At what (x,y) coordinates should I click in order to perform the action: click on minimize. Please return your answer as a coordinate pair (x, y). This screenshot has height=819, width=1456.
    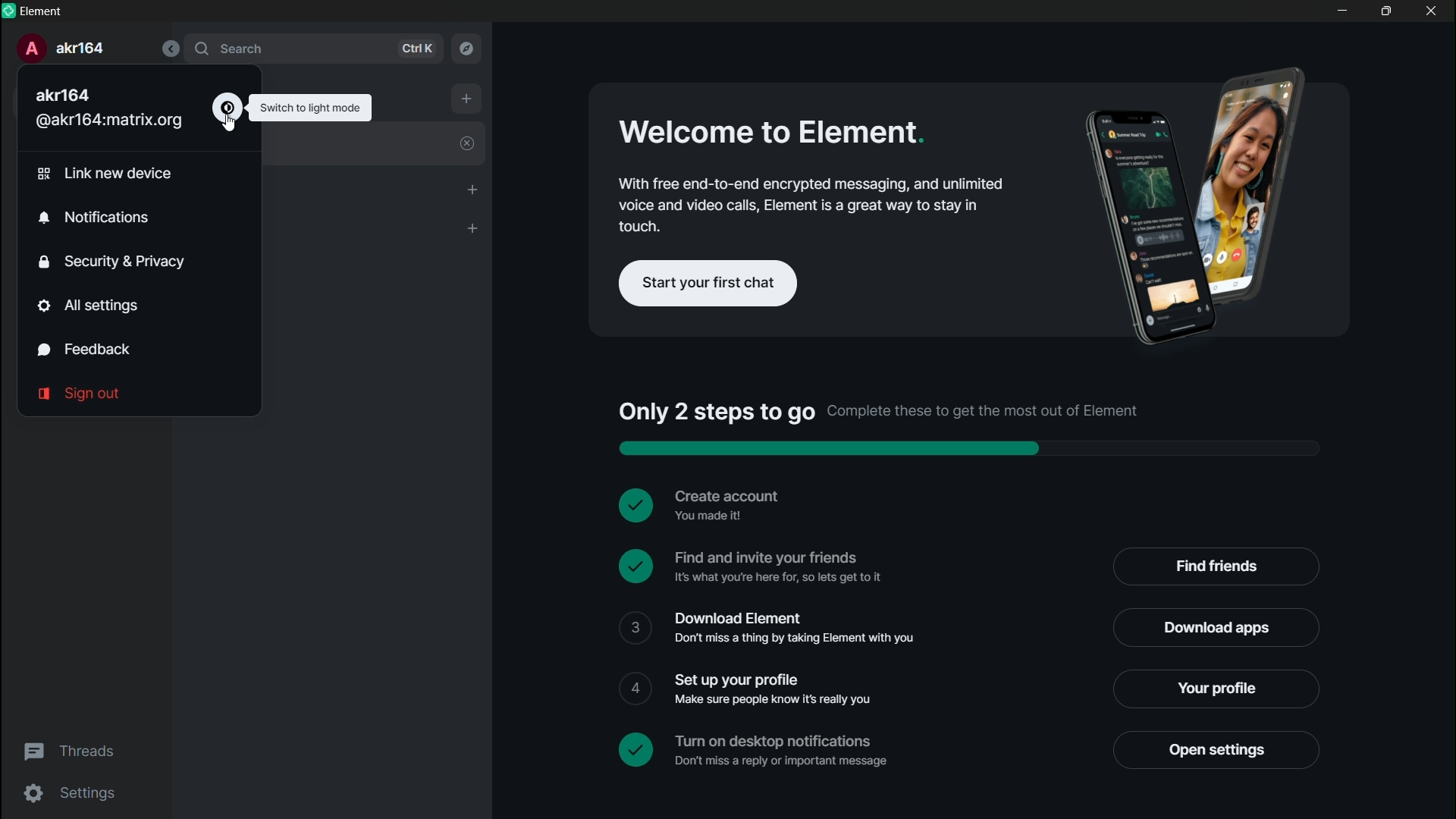
    Looking at the image, I should click on (1340, 11).